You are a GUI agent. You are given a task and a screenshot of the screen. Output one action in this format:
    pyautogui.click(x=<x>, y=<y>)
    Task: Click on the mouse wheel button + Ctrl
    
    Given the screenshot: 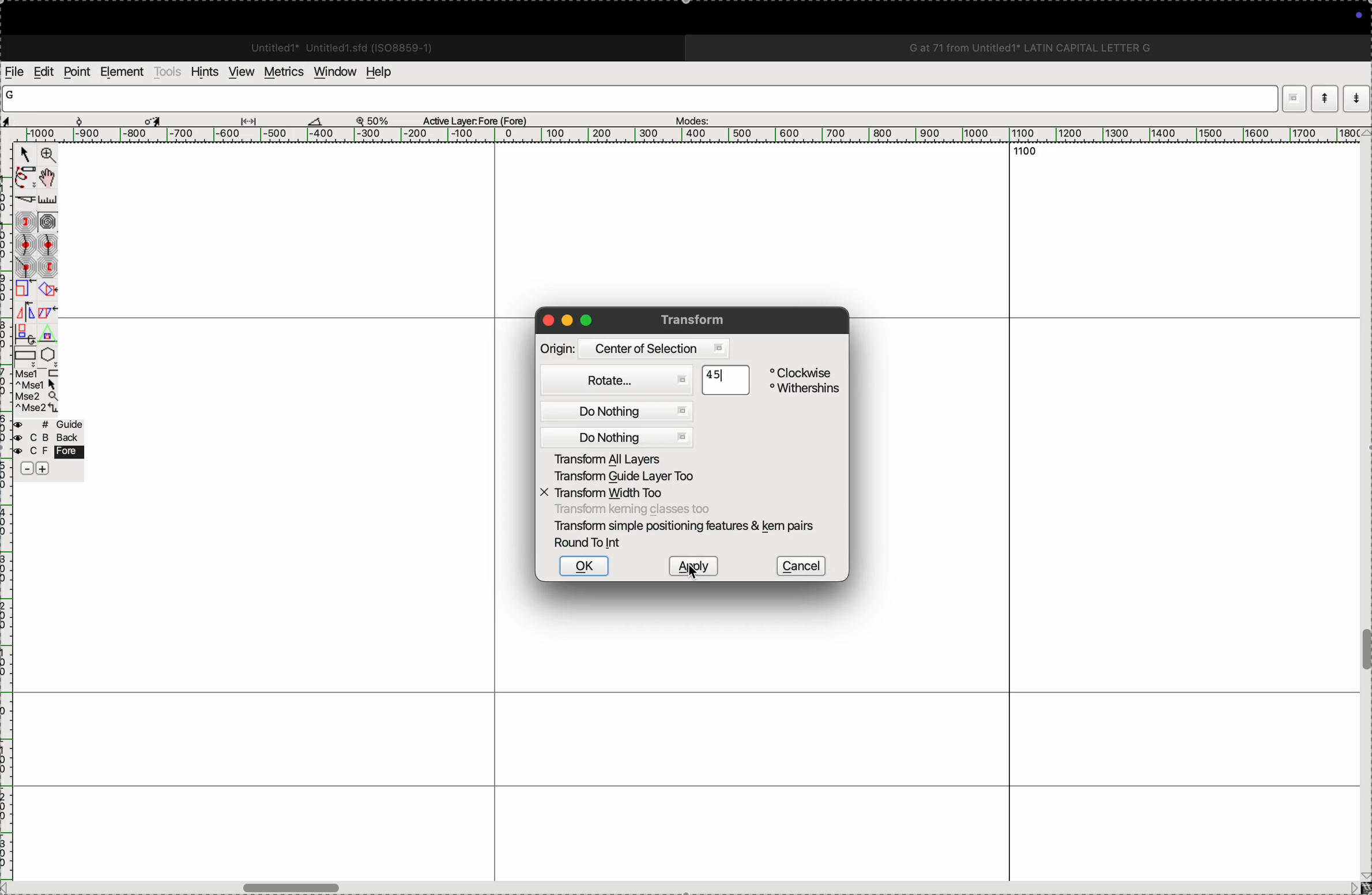 What is the action you would take?
    pyautogui.click(x=37, y=409)
    